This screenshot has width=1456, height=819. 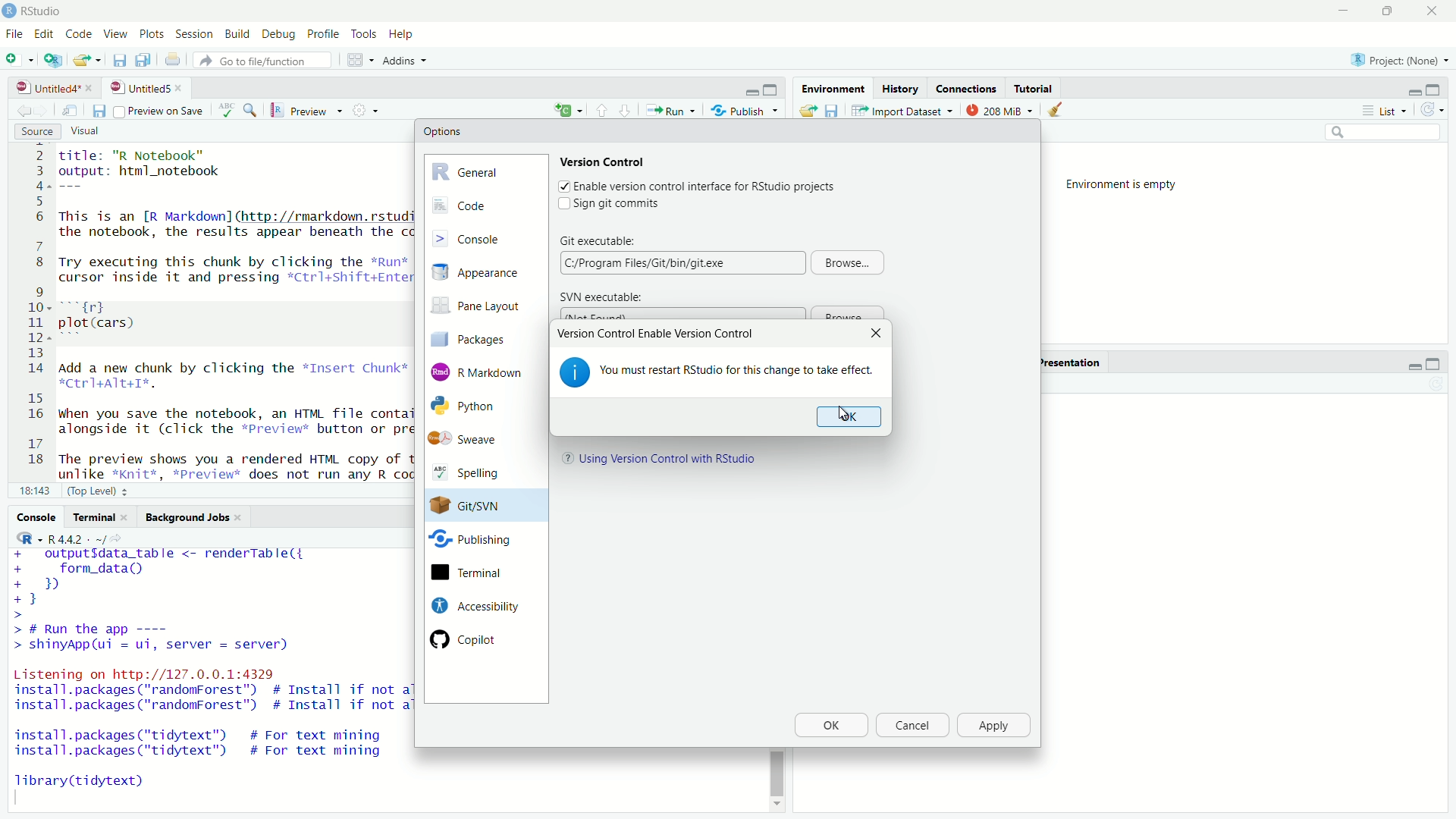 I want to click on minimize, so click(x=1413, y=365).